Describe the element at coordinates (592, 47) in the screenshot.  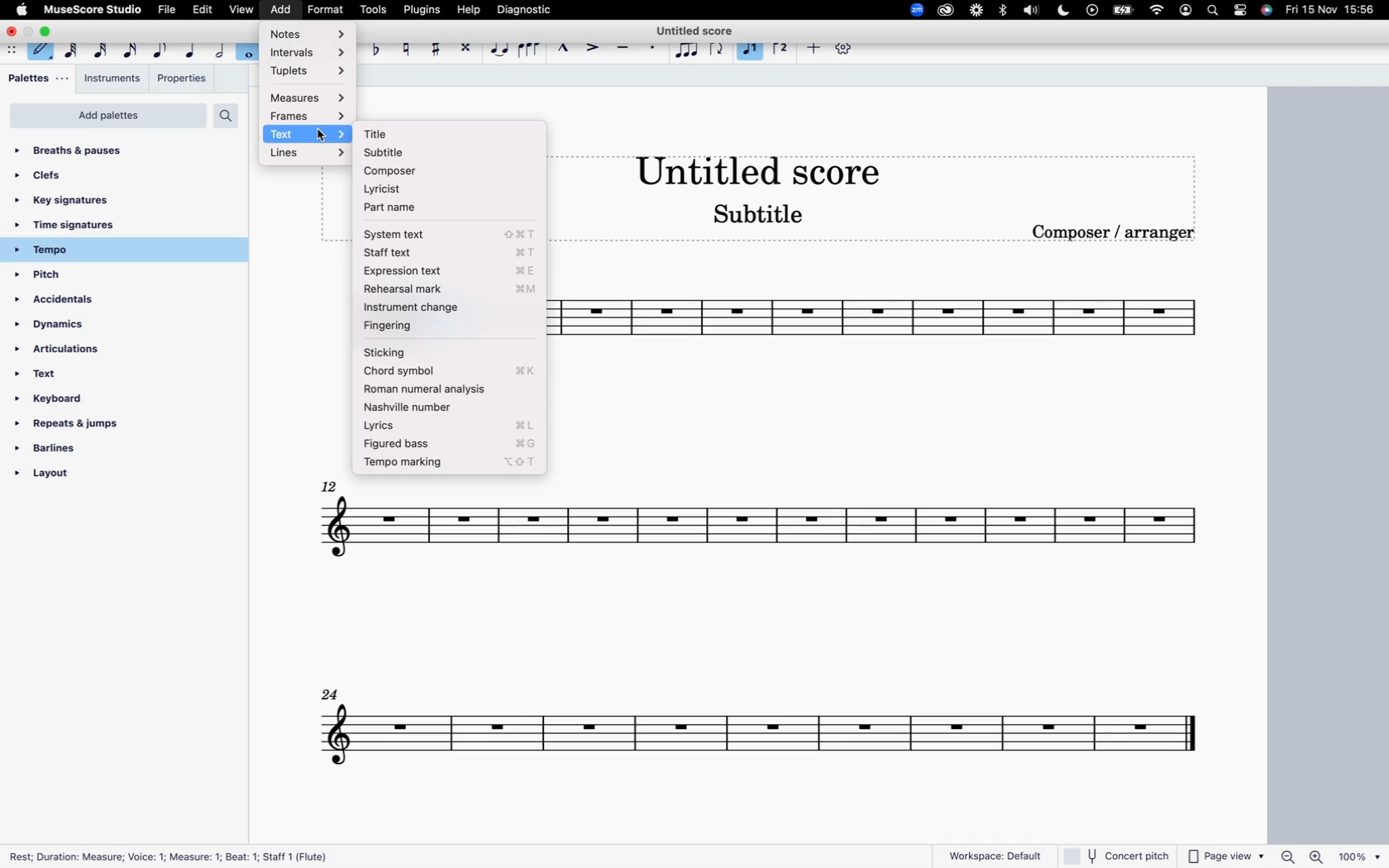
I see `accent` at that location.